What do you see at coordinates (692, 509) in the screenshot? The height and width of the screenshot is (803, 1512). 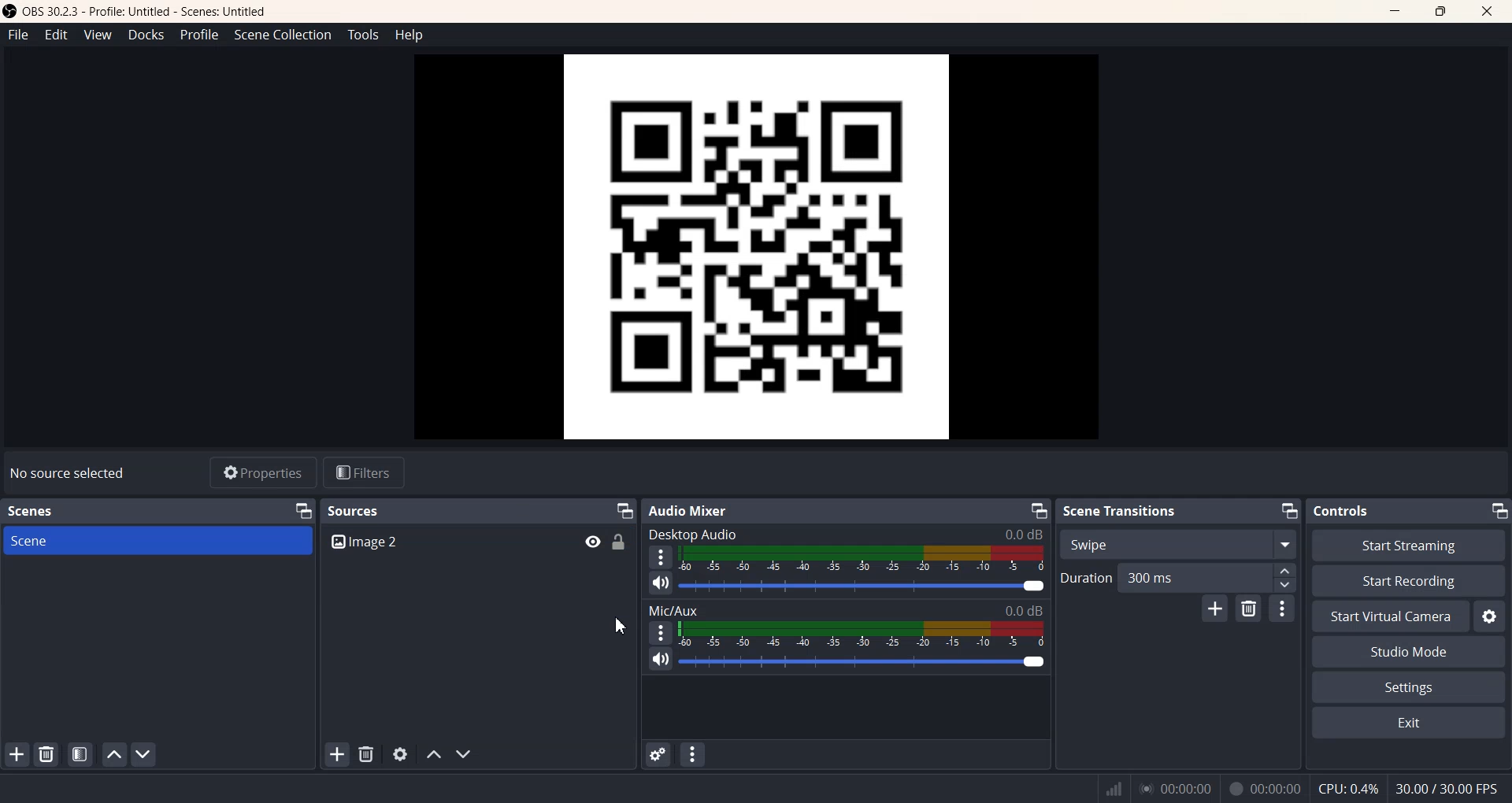 I see `Audio Mixer` at bounding box center [692, 509].